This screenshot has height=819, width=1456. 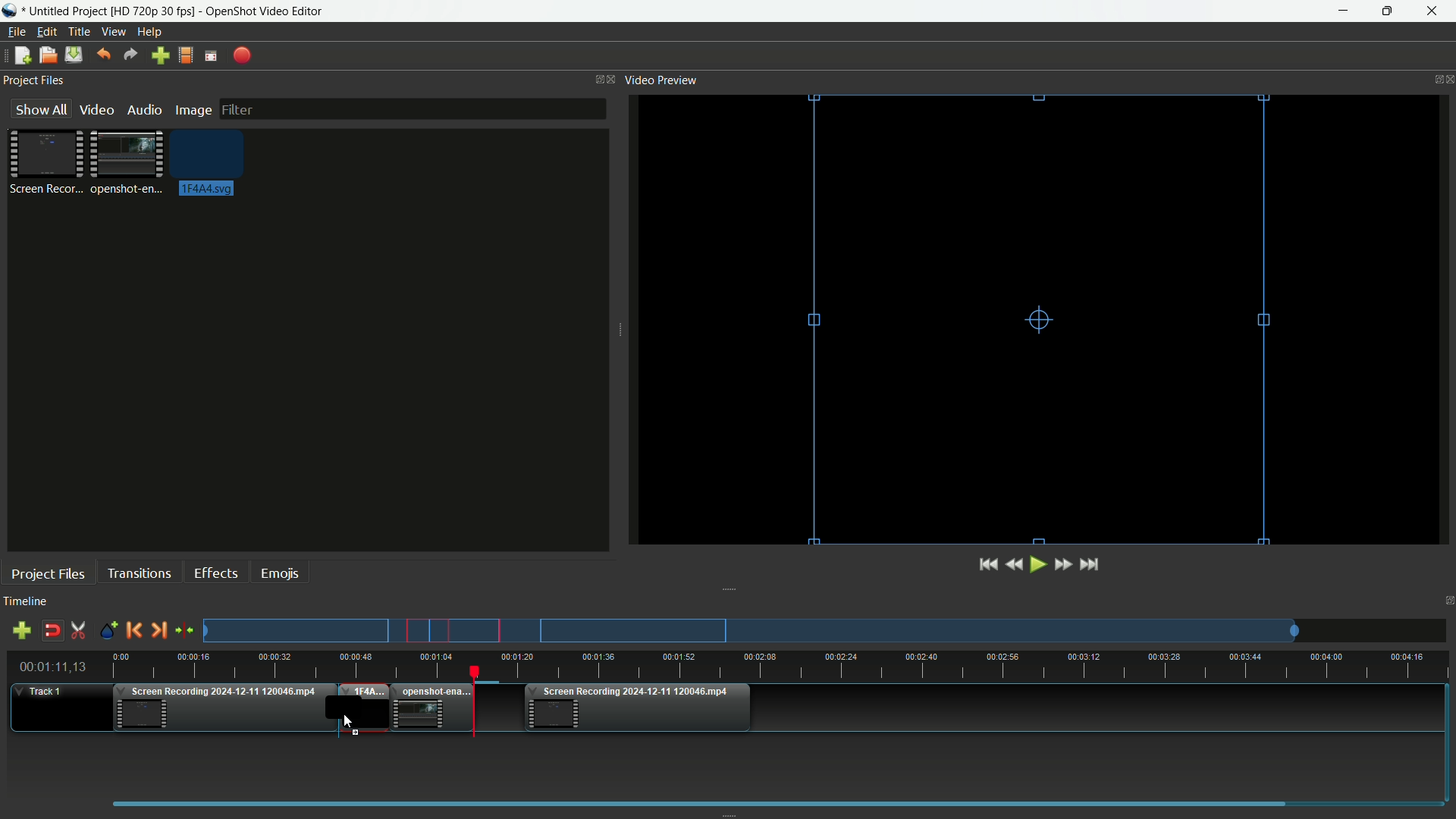 What do you see at coordinates (185, 631) in the screenshot?
I see `center the timeline on the playhead` at bounding box center [185, 631].